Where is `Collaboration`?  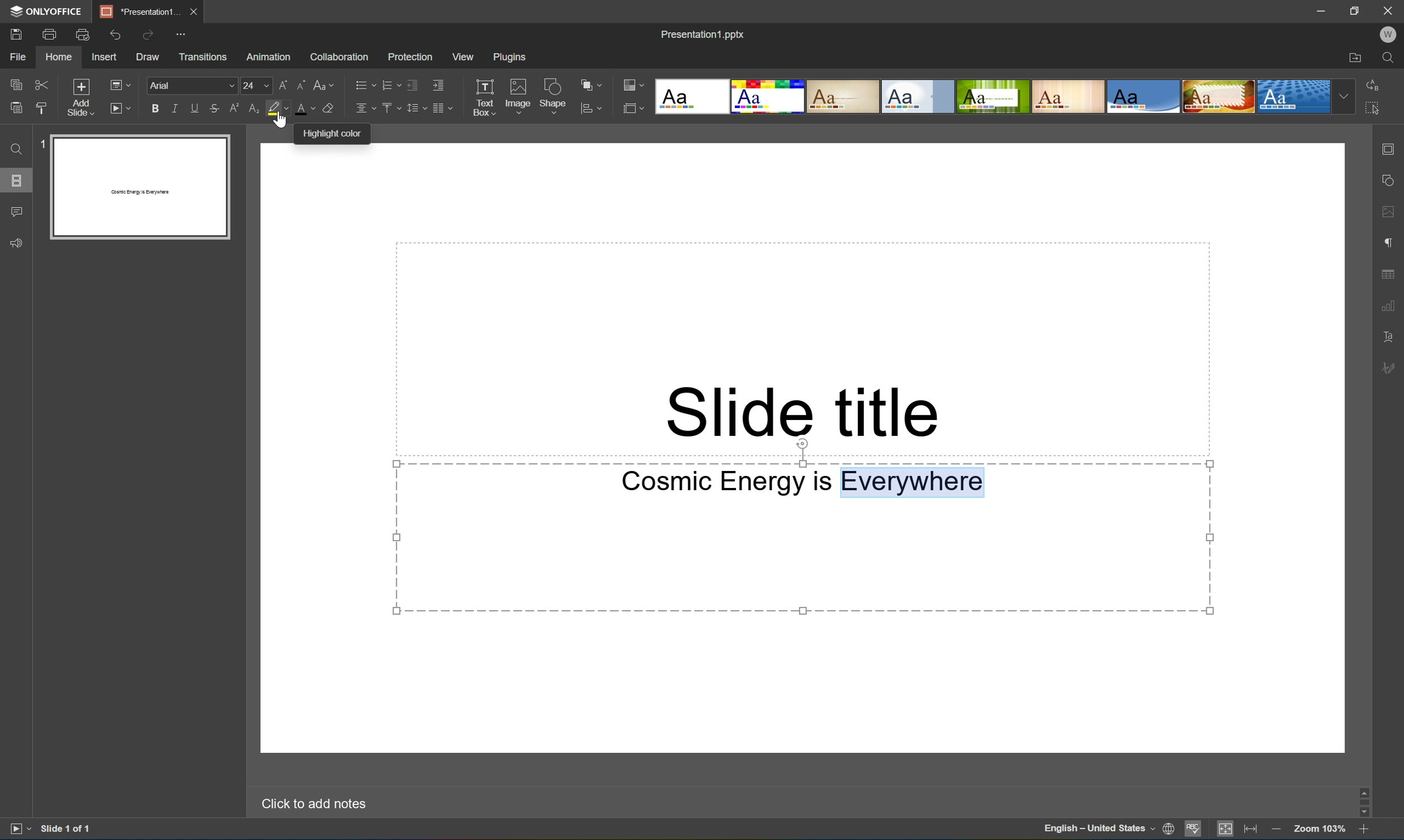
Collaboration is located at coordinates (339, 55).